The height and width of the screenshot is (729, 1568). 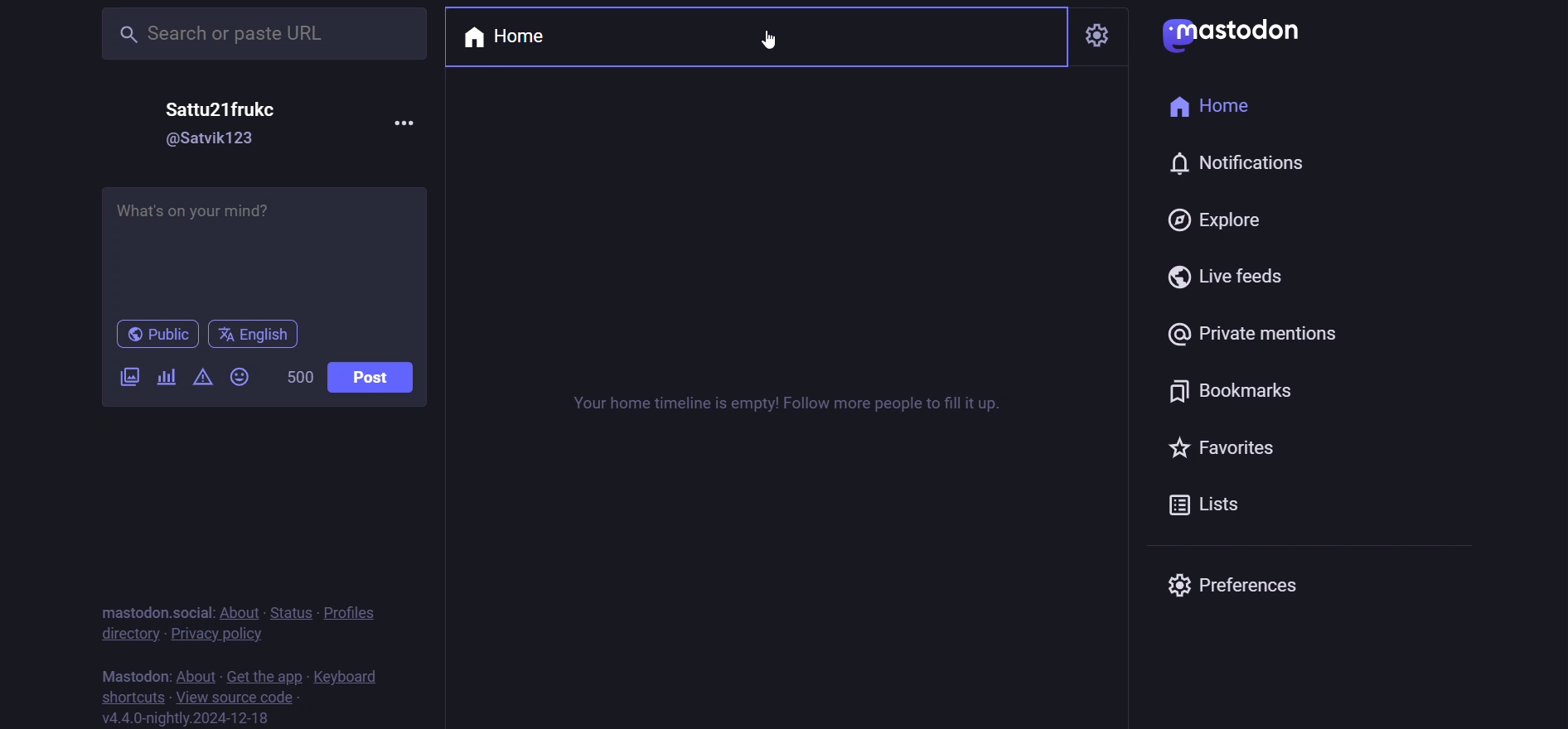 I want to click on word limit, so click(x=298, y=377).